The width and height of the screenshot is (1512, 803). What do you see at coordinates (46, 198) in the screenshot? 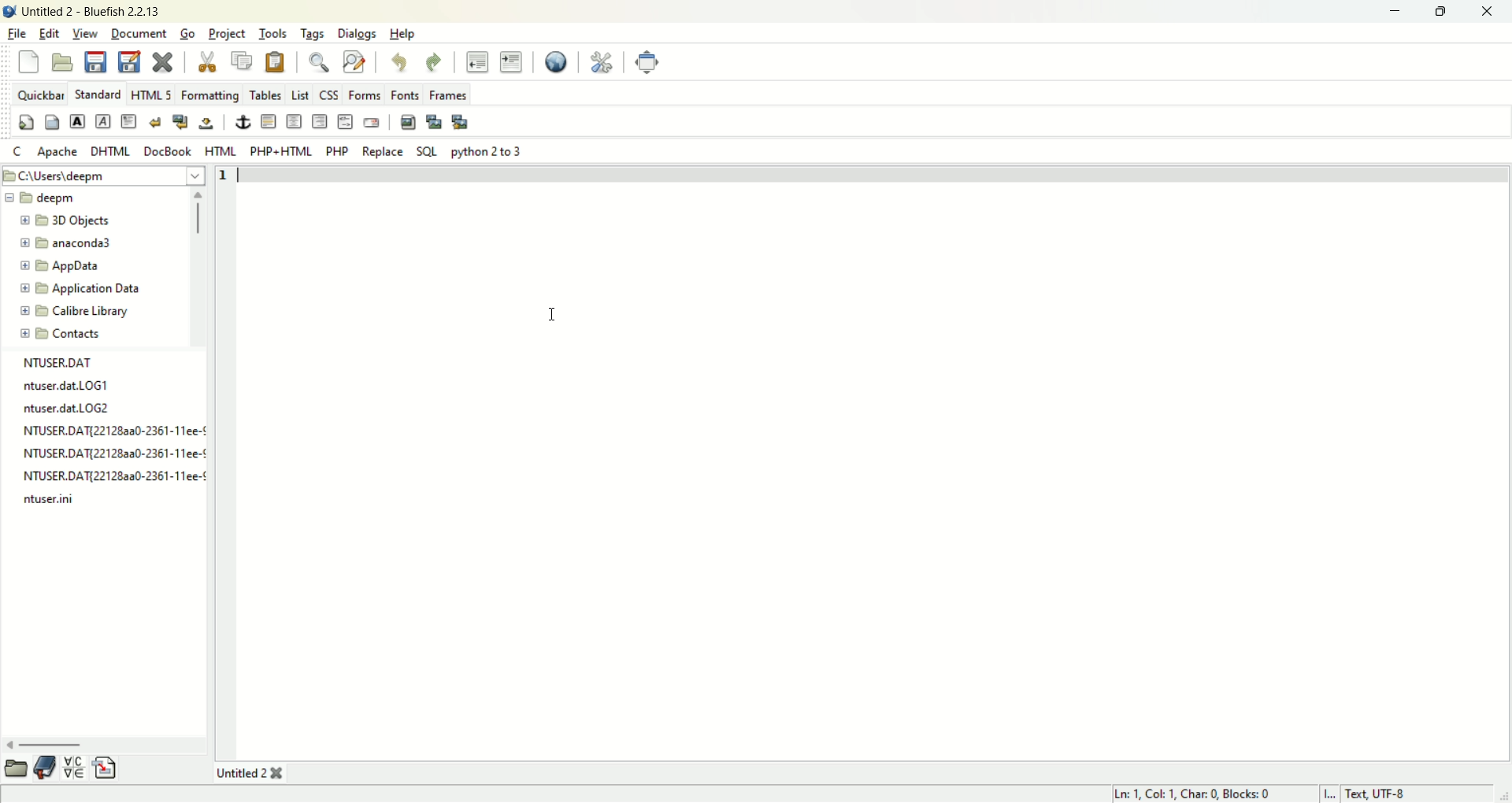
I see `deepm` at bounding box center [46, 198].